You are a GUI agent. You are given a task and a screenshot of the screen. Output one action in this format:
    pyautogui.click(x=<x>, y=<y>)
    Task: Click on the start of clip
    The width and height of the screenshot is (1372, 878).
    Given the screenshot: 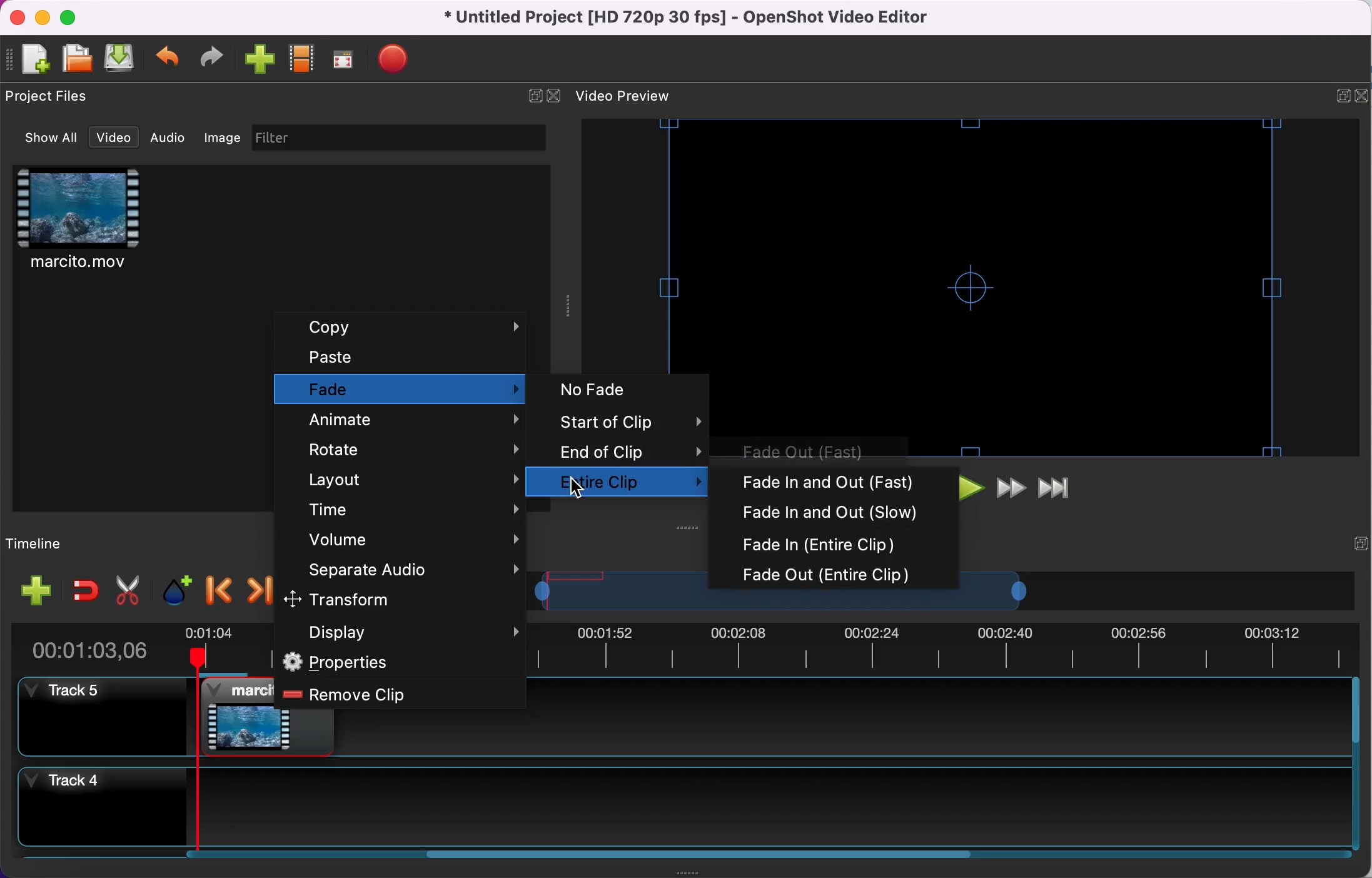 What is the action you would take?
    pyautogui.click(x=629, y=420)
    